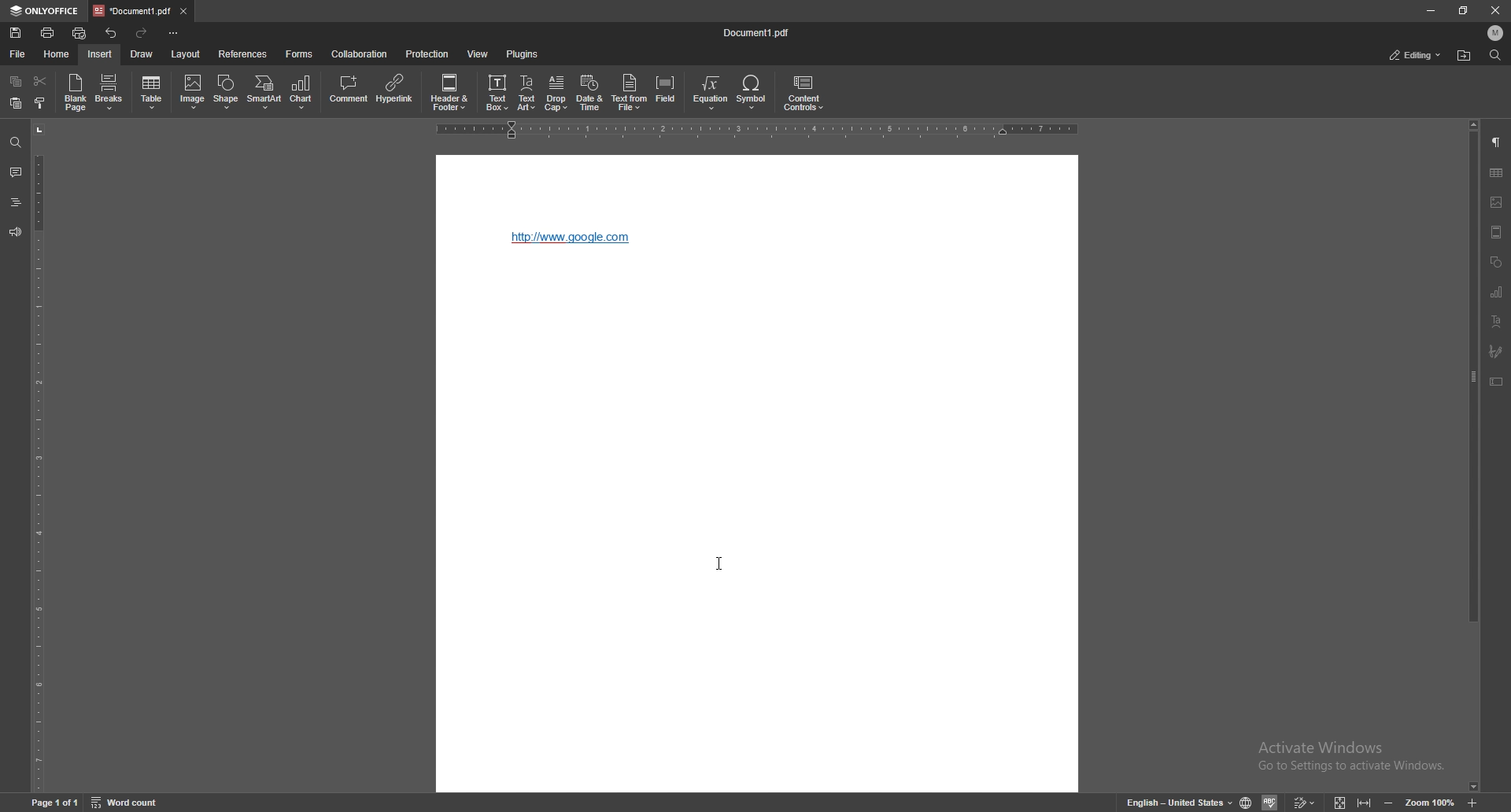  I want to click on image, so click(1497, 202).